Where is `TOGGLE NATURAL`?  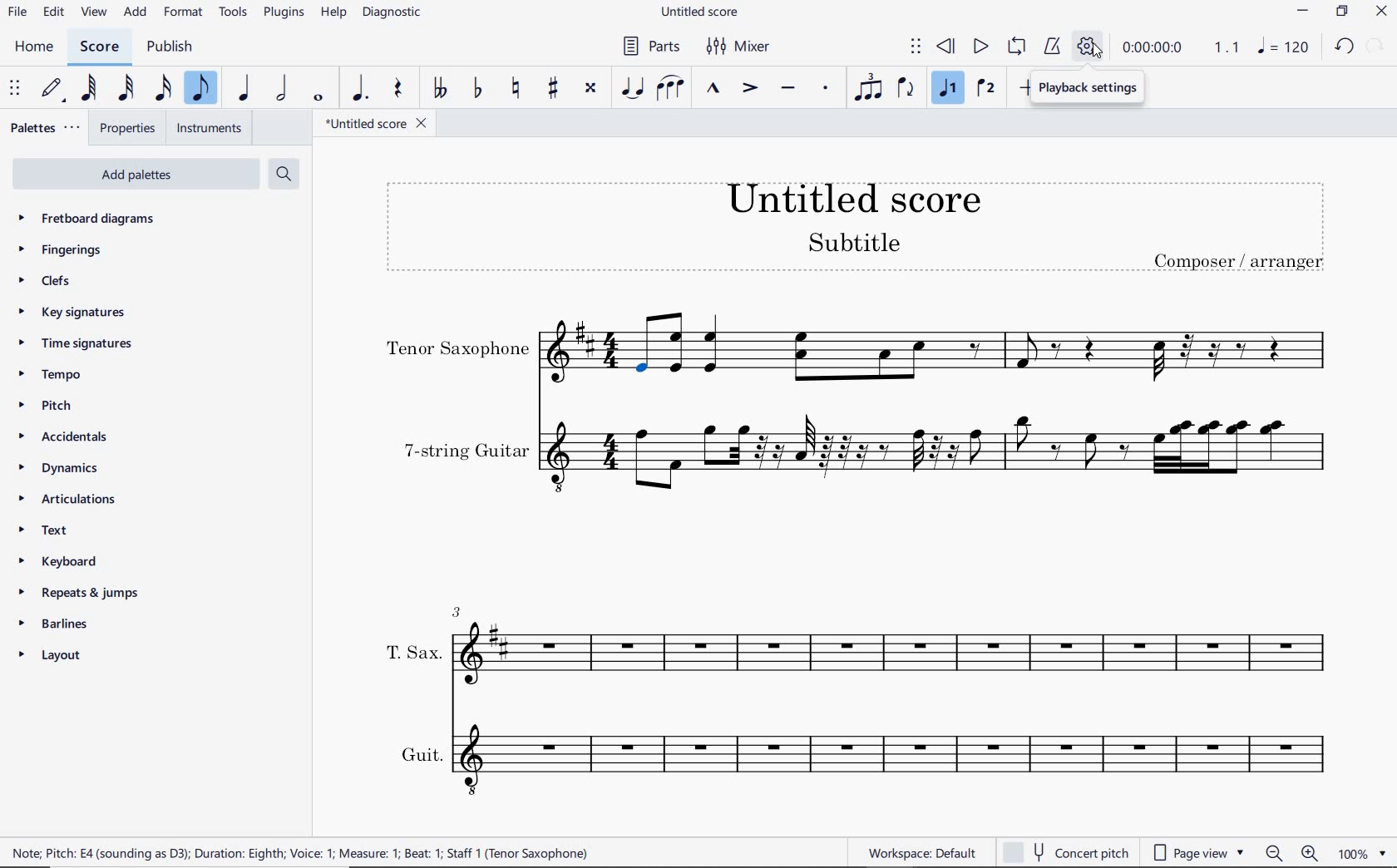 TOGGLE NATURAL is located at coordinates (516, 88).